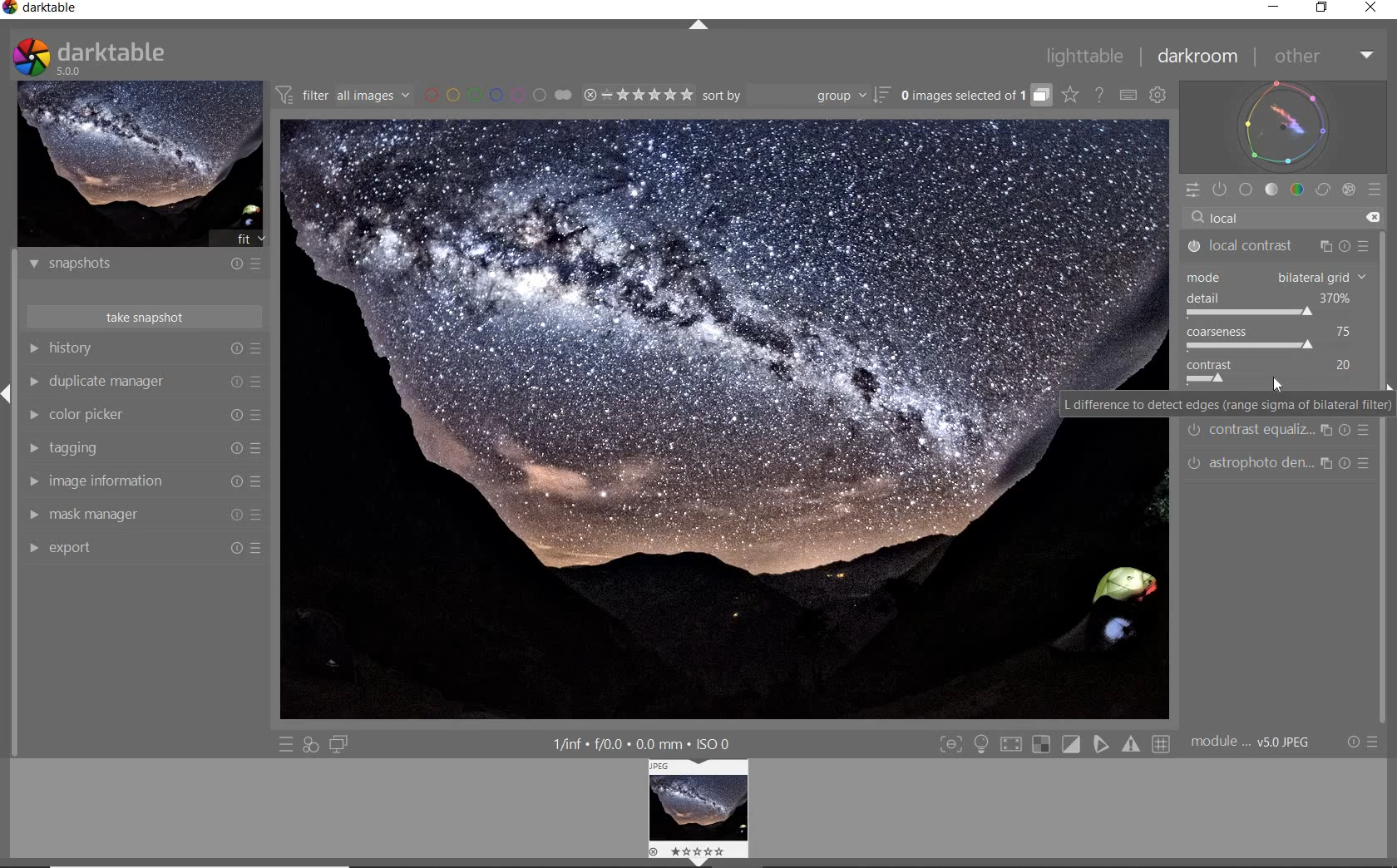 The width and height of the screenshot is (1397, 868). Describe the element at coordinates (259, 378) in the screenshot. I see `Presets and preferences` at that location.